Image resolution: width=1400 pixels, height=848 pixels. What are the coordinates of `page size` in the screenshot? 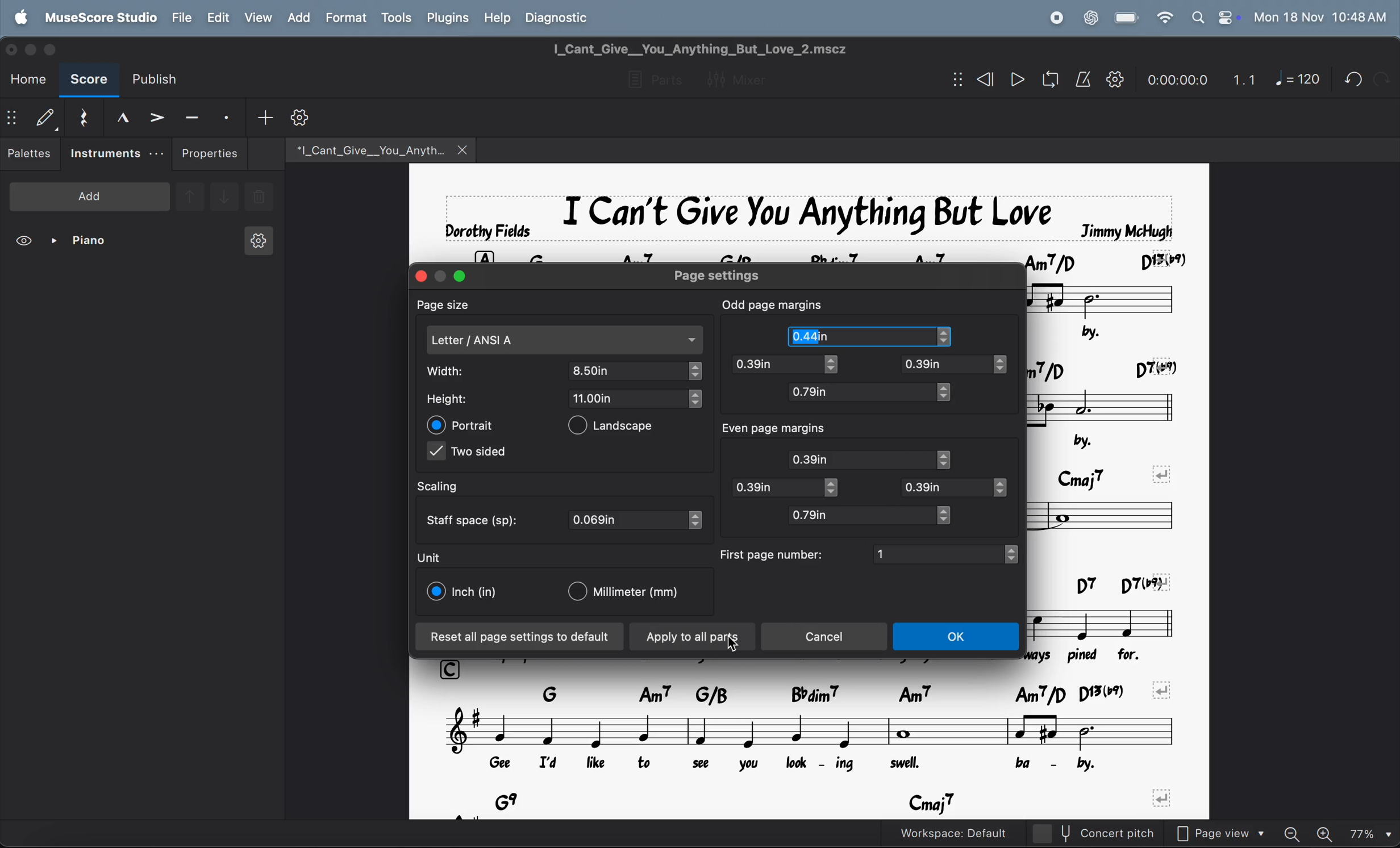 It's located at (453, 304).